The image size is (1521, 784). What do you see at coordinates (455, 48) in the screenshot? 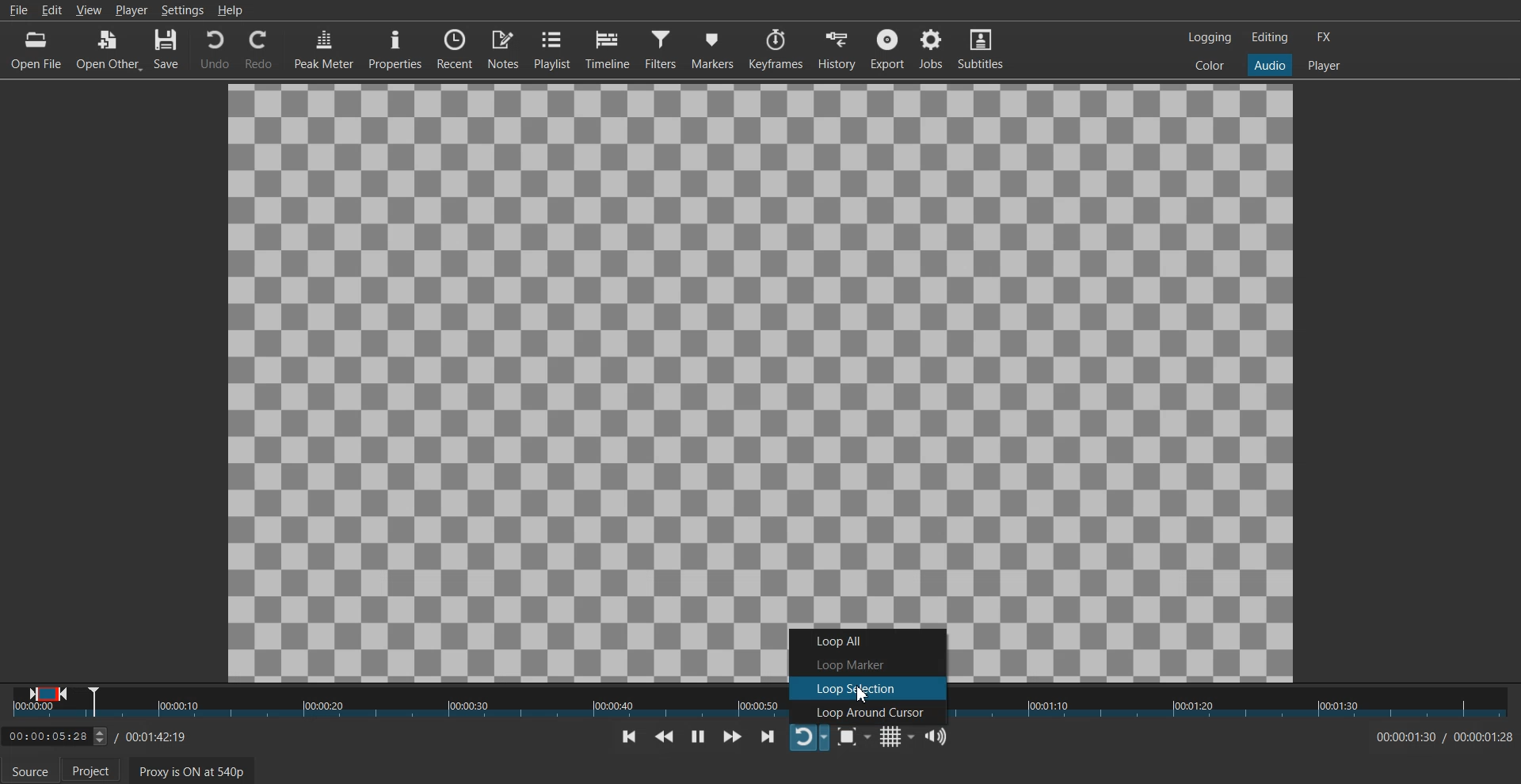
I see `Recent` at bounding box center [455, 48].